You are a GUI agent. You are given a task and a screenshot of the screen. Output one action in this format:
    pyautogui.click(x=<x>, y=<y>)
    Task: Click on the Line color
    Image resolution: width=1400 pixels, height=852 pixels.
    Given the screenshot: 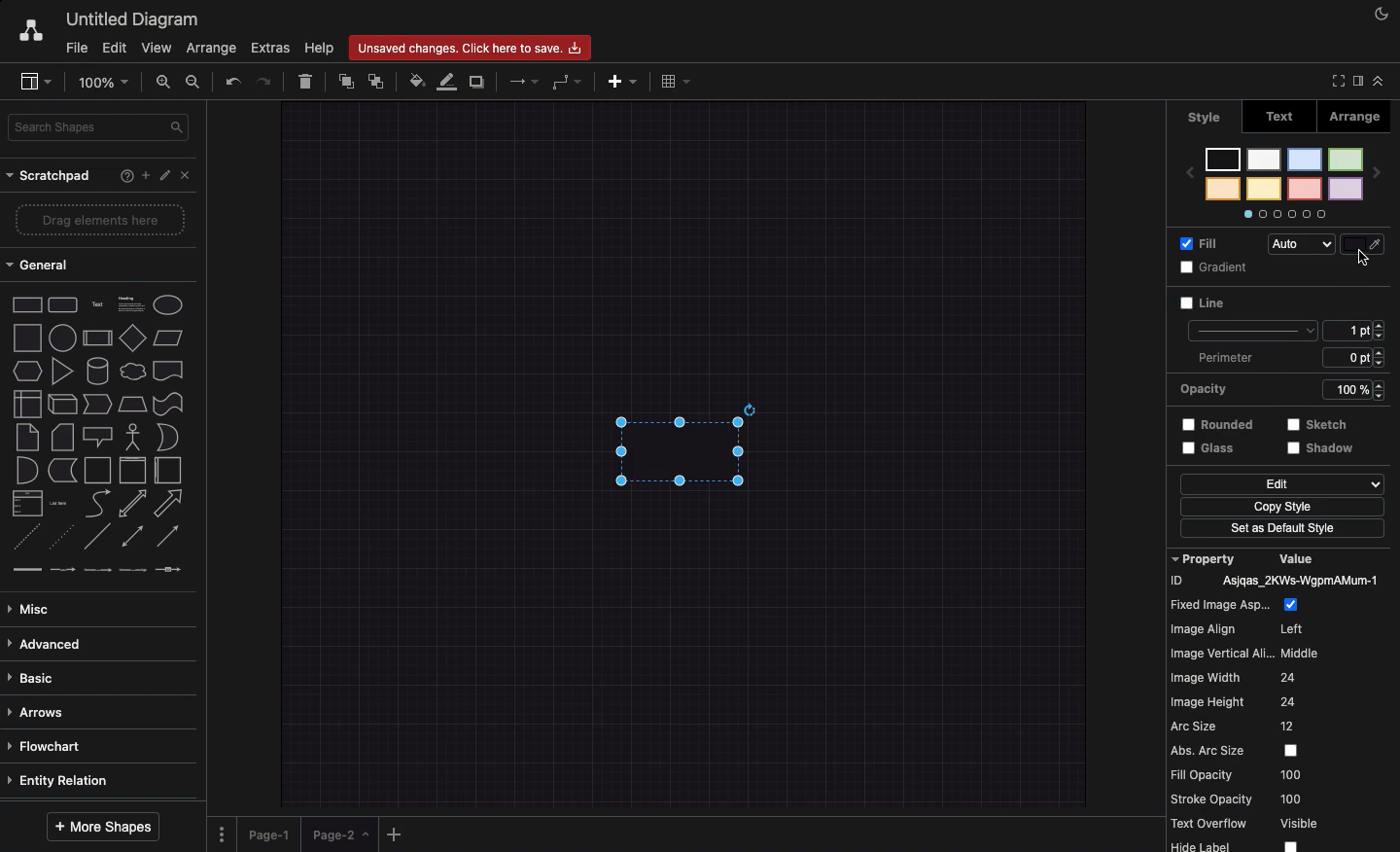 What is the action you would take?
    pyautogui.click(x=1367, y=240)
    